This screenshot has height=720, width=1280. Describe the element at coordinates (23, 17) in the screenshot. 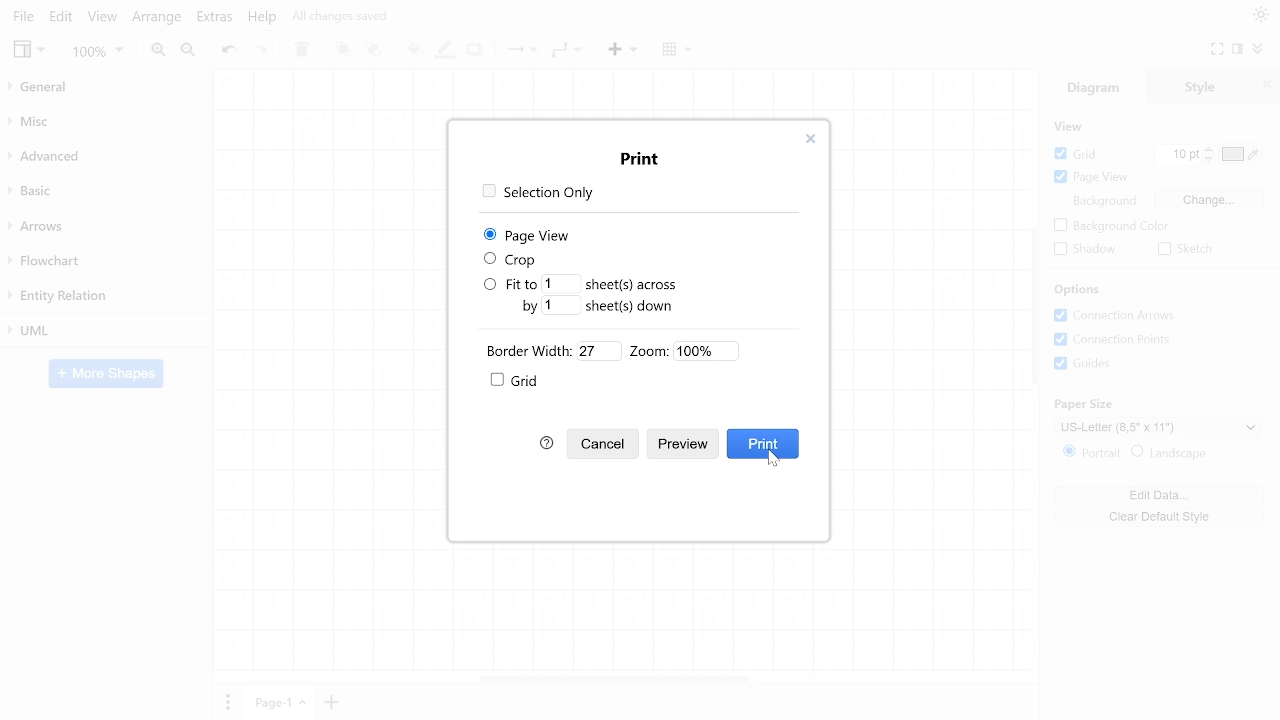

I see `File` at that location.